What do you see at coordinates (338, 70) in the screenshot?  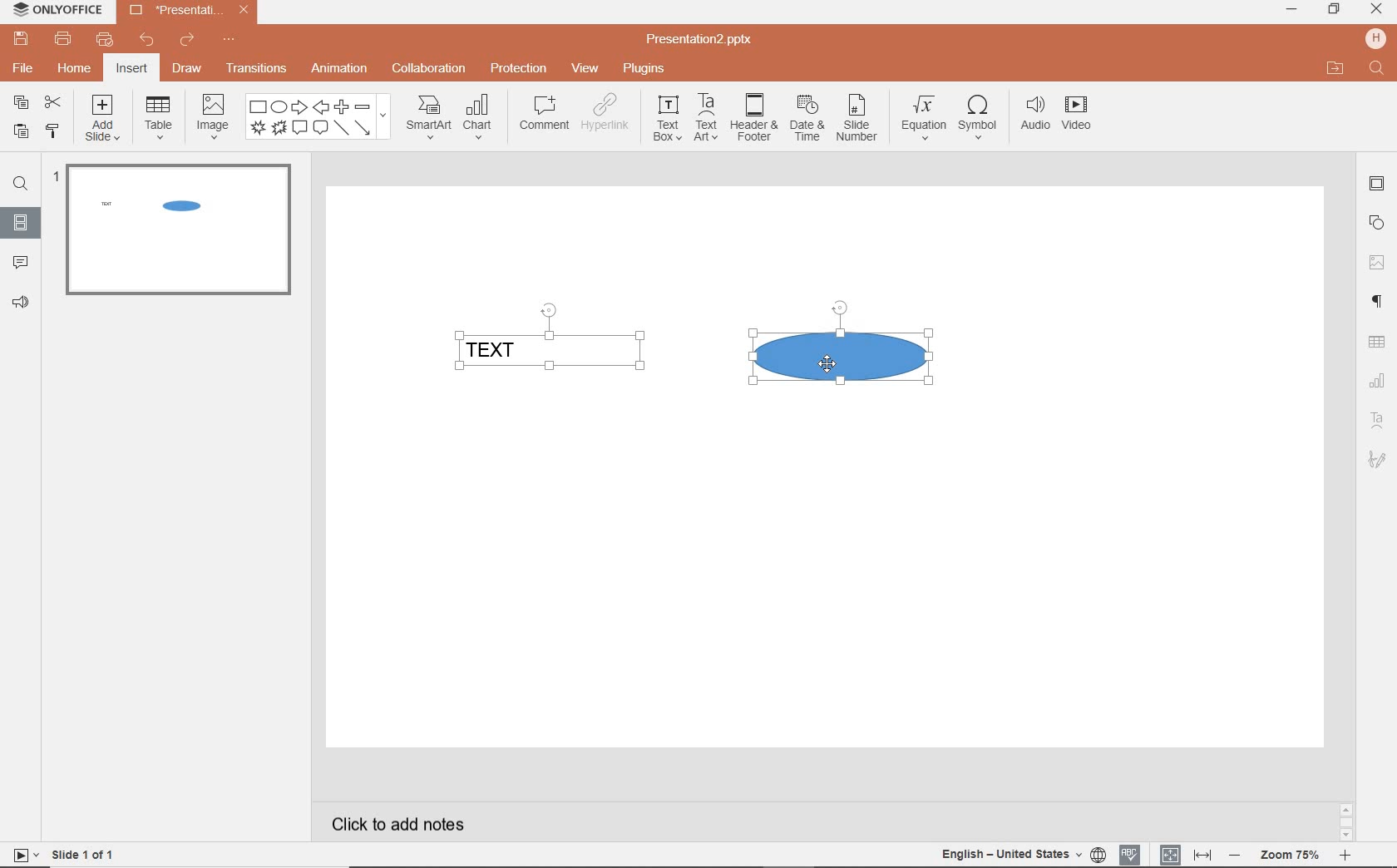 I see `animation` at bounding box center [338, 70].